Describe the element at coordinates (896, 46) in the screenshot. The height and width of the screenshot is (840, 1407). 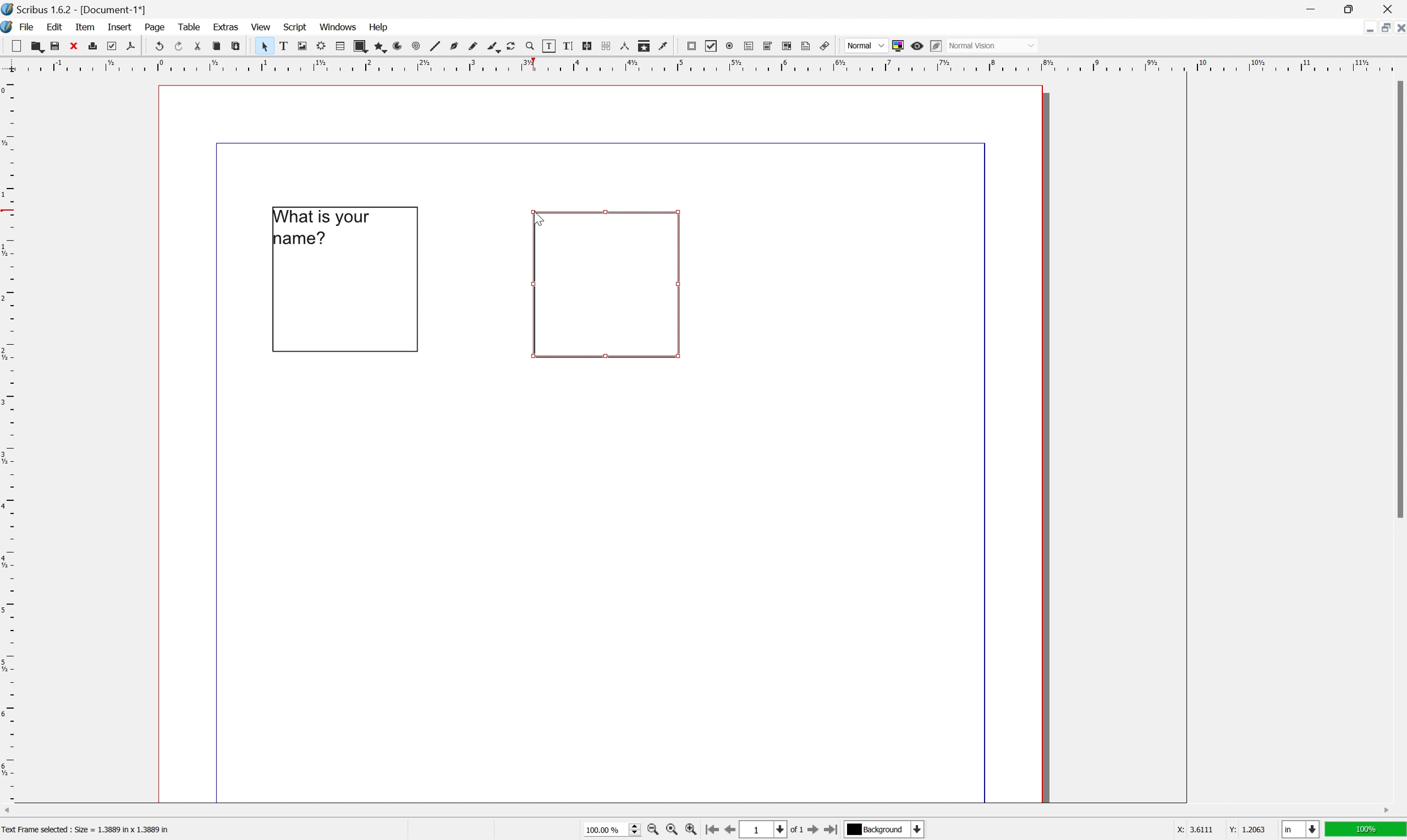
I see `toggle color management system` at that location.